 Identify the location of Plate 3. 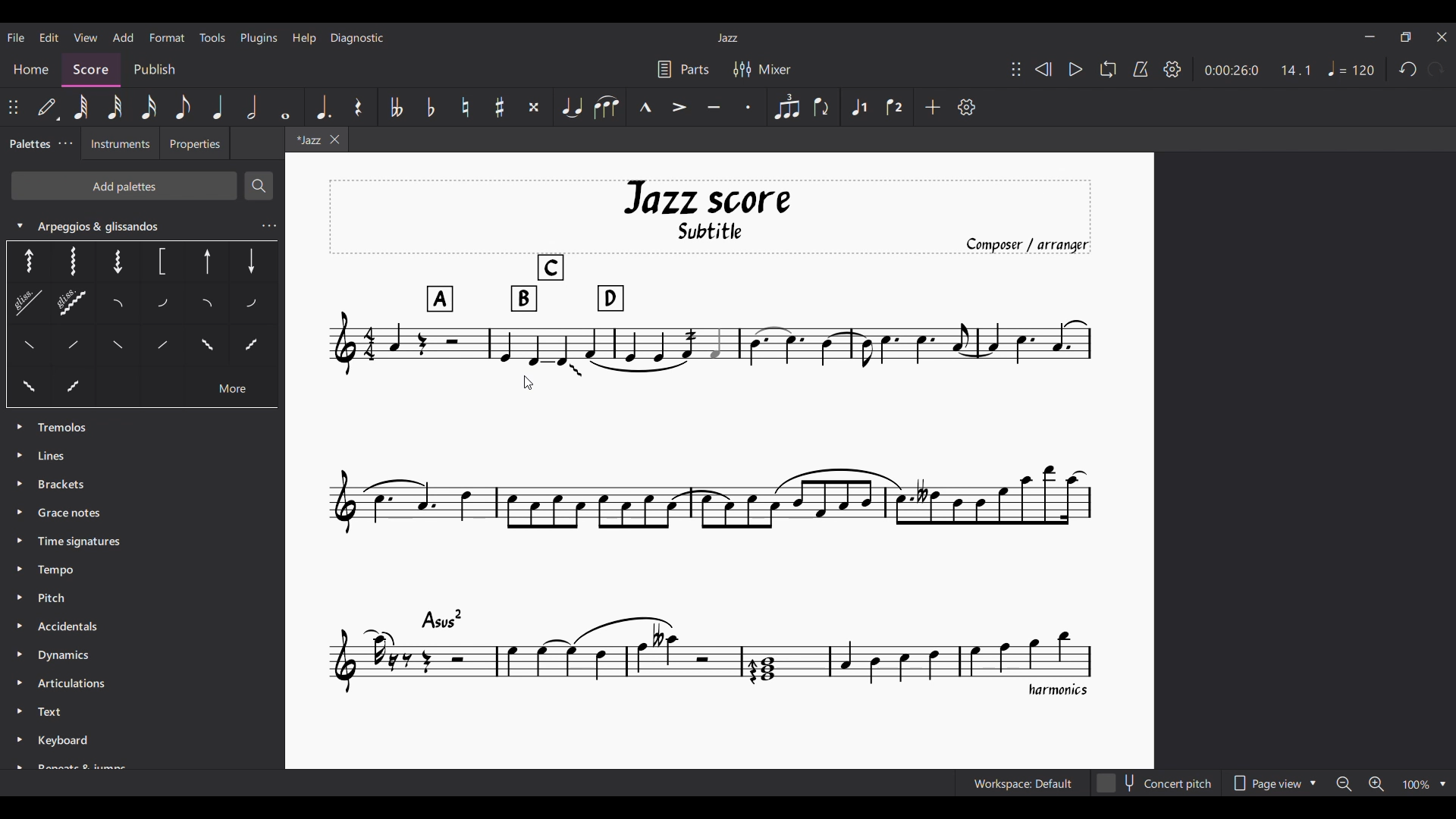
(115, 260).